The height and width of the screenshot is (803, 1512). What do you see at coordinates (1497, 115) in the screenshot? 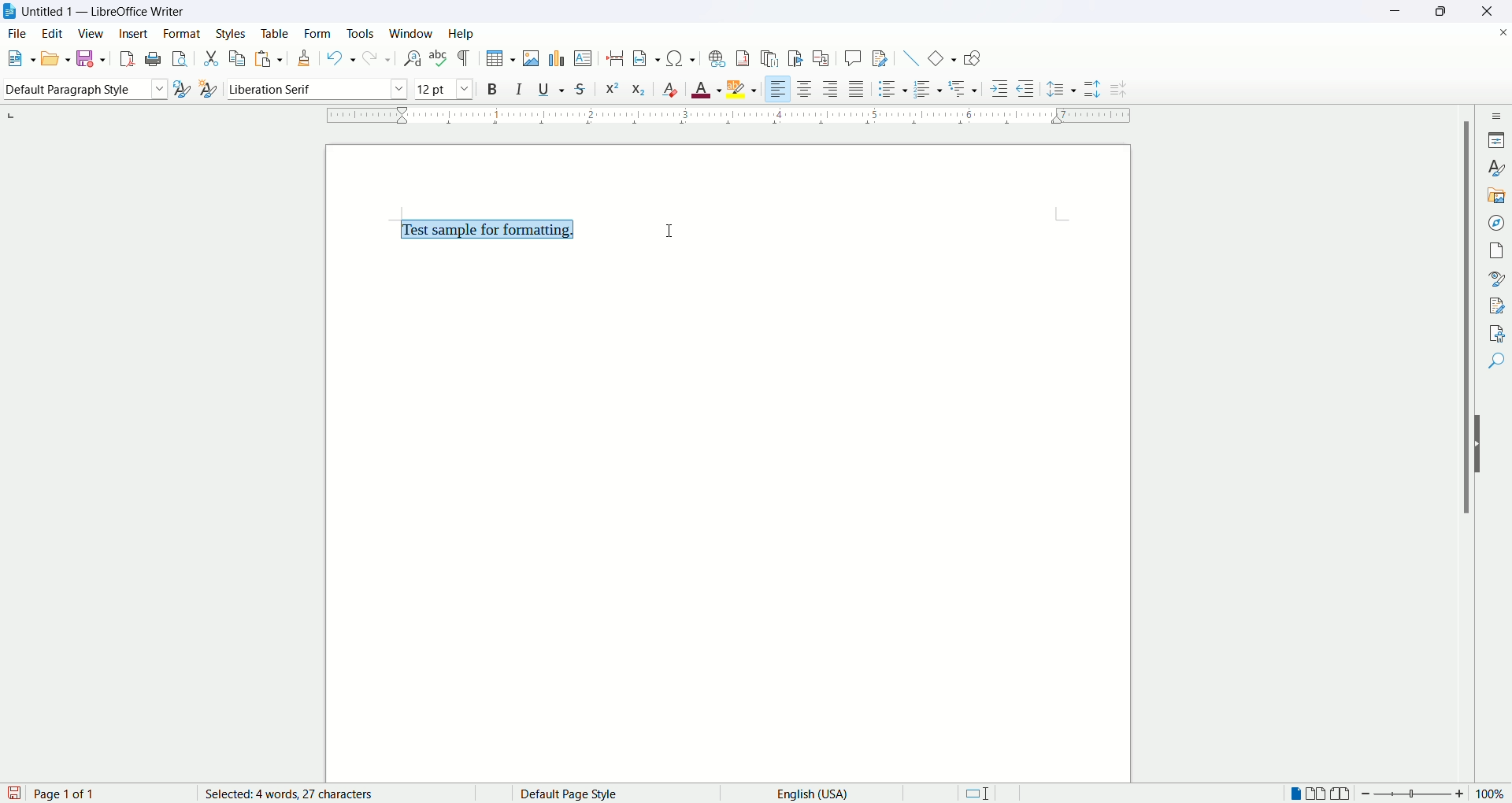
I see `sidebar` at bounding box center [1497, 115].